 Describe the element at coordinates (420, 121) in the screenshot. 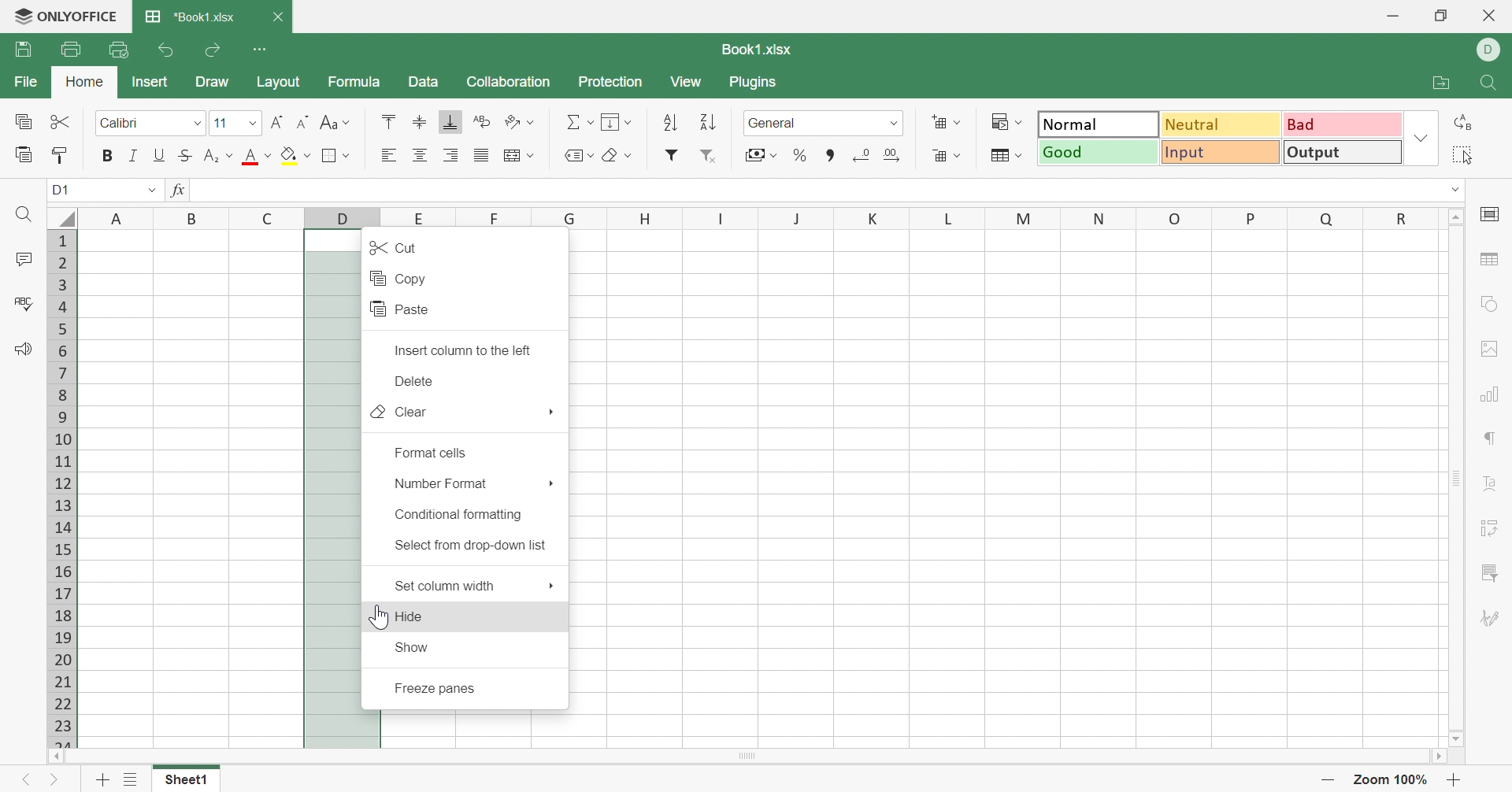

I see `Align Middle` at that location.